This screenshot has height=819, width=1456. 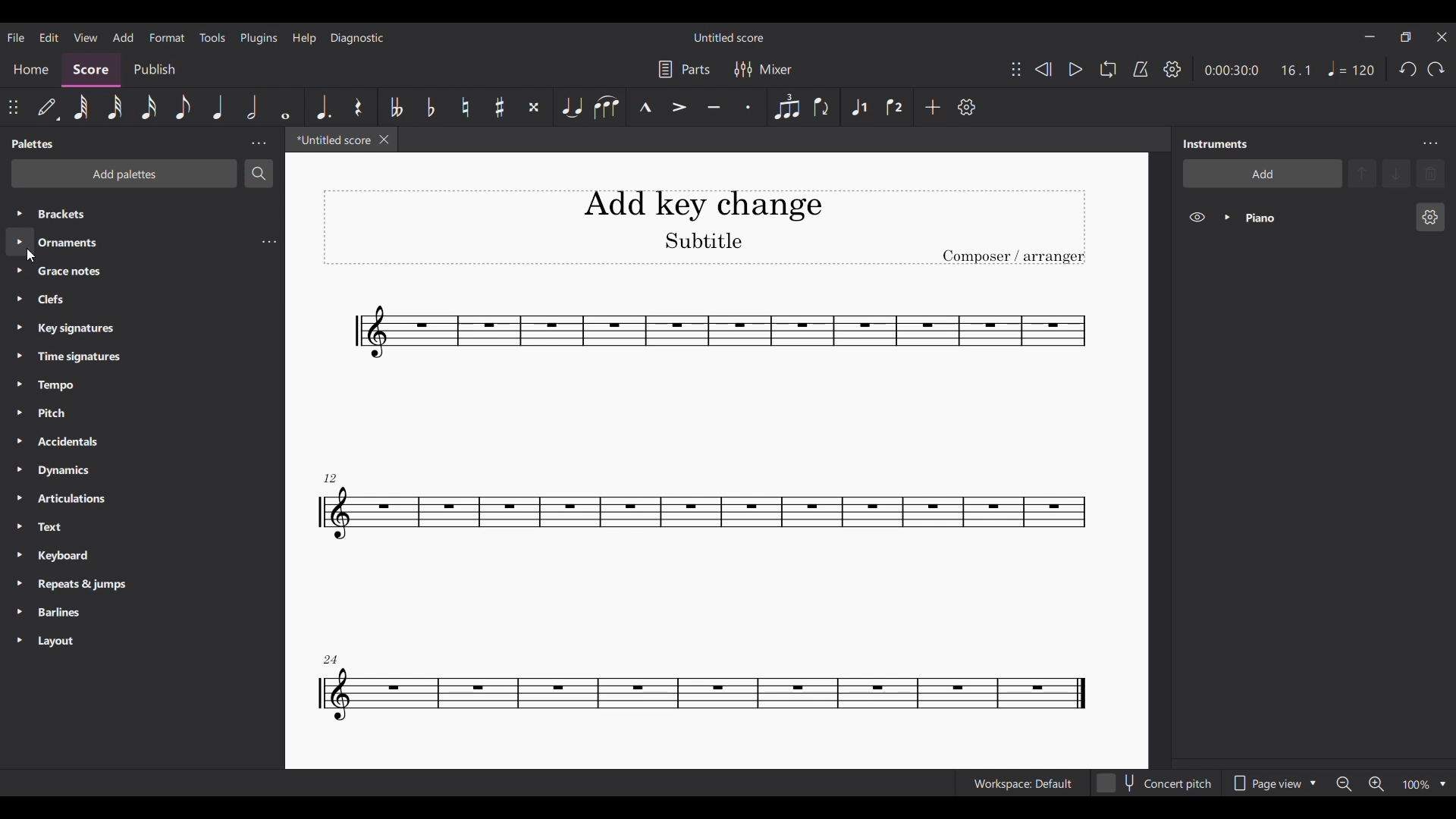 What do you see at coordinates (1406, 36) in the screenshot?
I see `Show interface in a smaller tab` at bounding box center [1406, 36].